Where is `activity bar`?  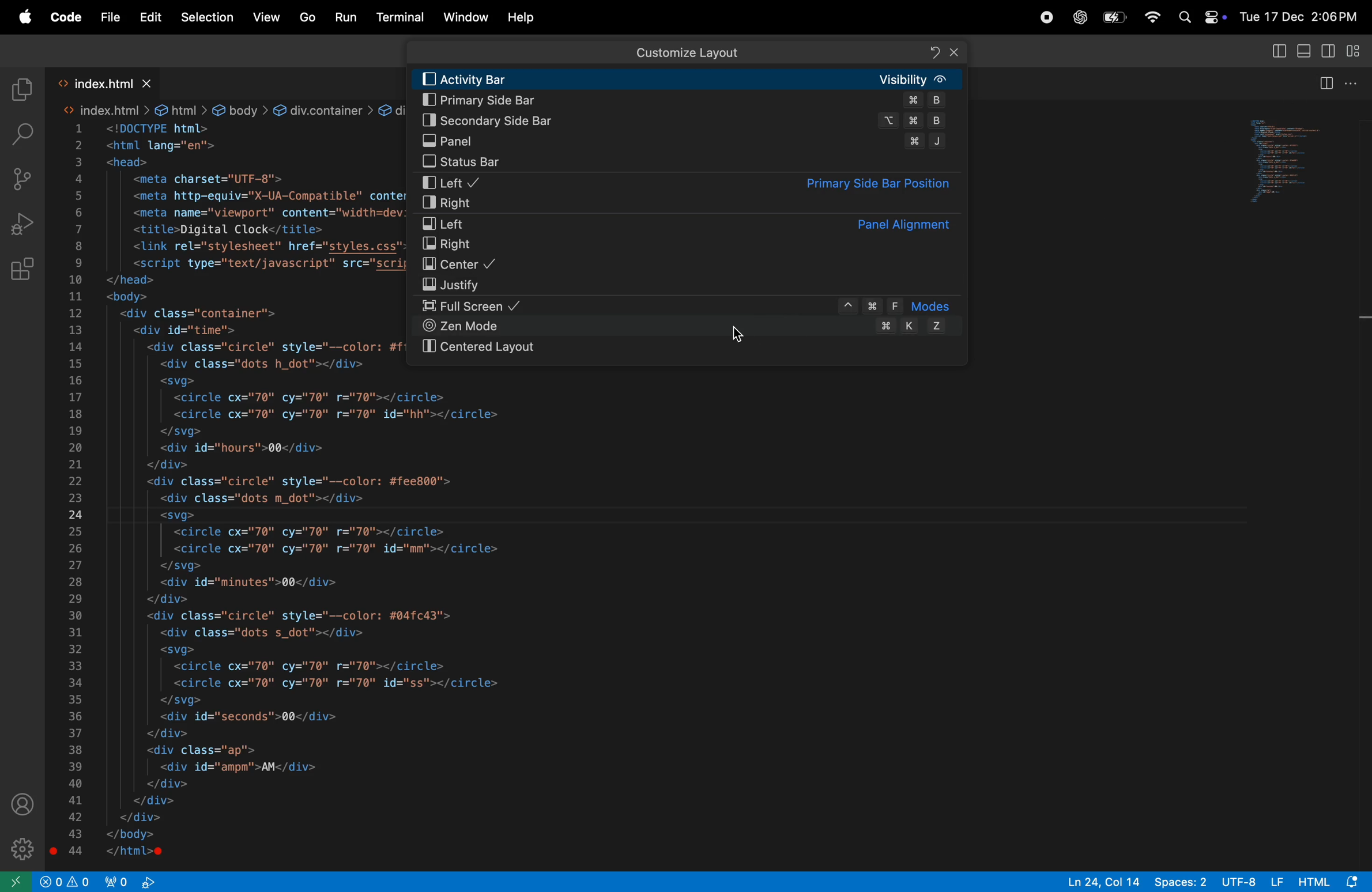
activity bar is located at coordinates (691, 79).